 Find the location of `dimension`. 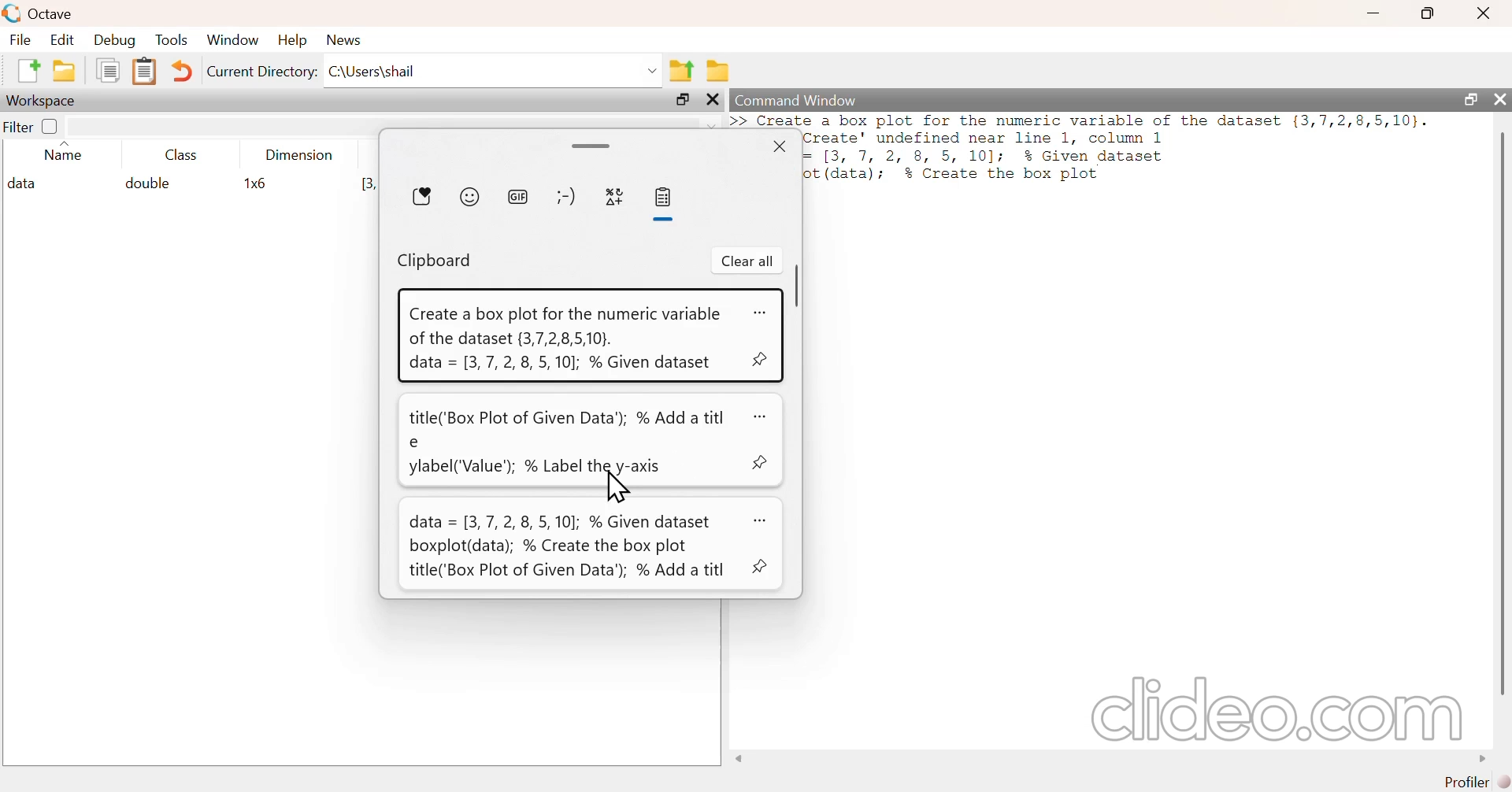

dimension is located at coordinates (301, 153).